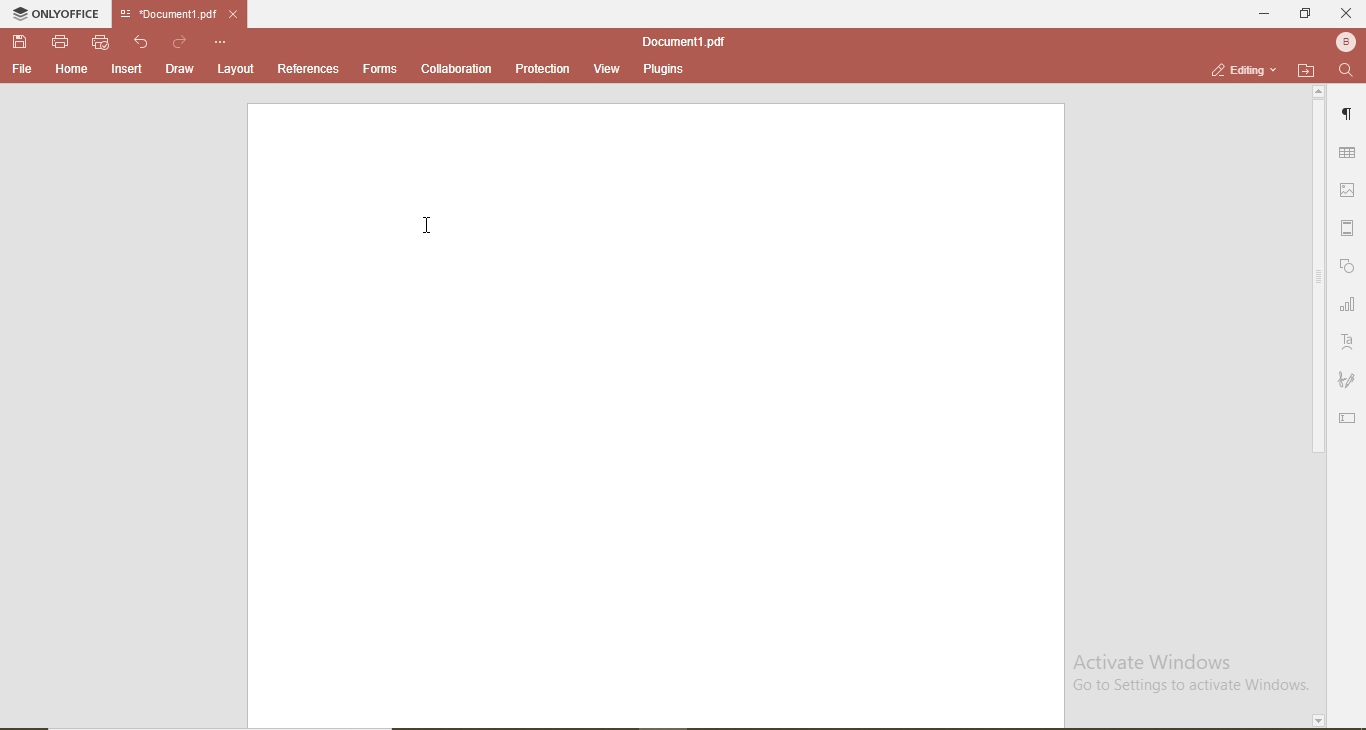  I want to click on image, so click(1348, 187).